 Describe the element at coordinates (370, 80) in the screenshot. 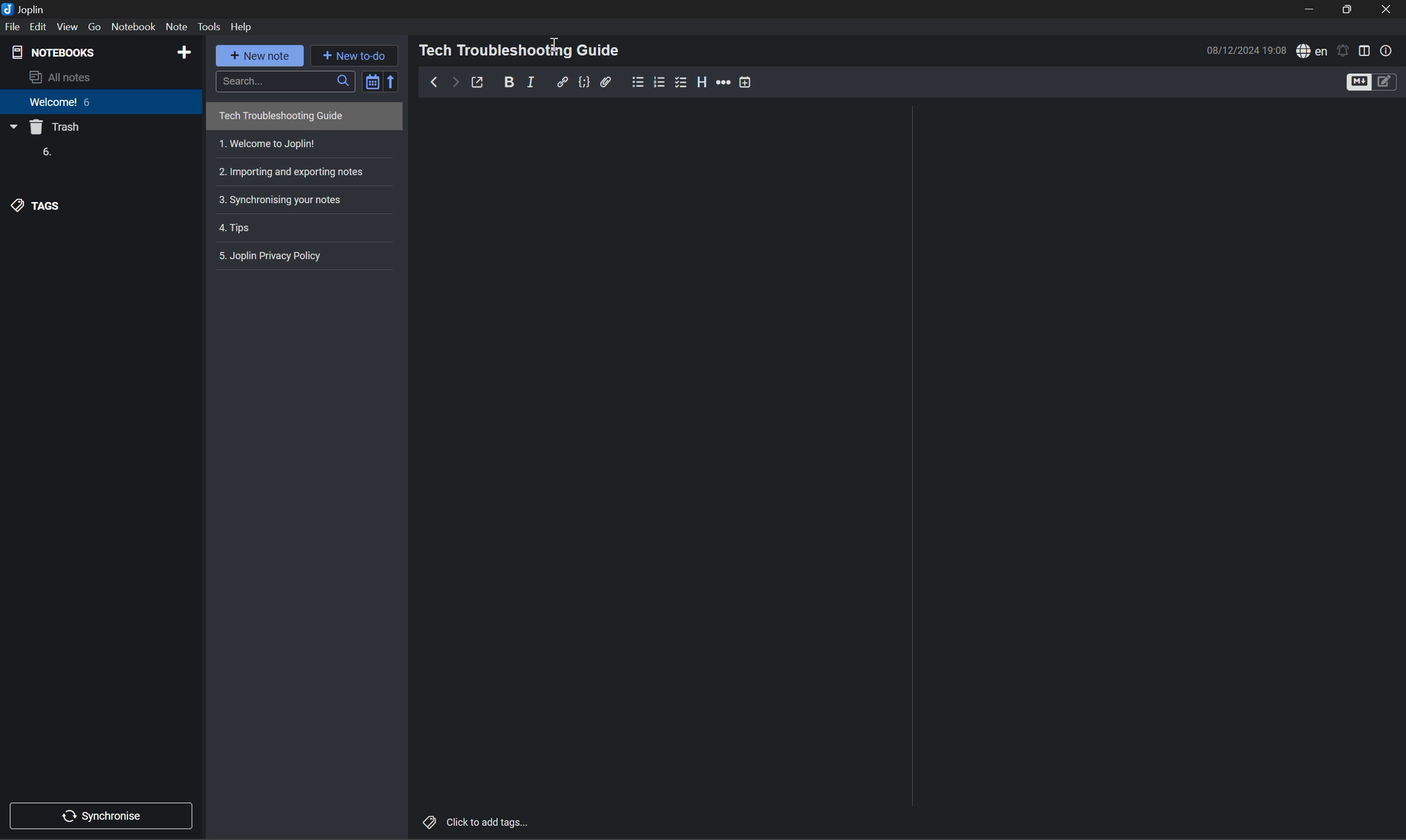

I see `Toggle sort order field` at that location.